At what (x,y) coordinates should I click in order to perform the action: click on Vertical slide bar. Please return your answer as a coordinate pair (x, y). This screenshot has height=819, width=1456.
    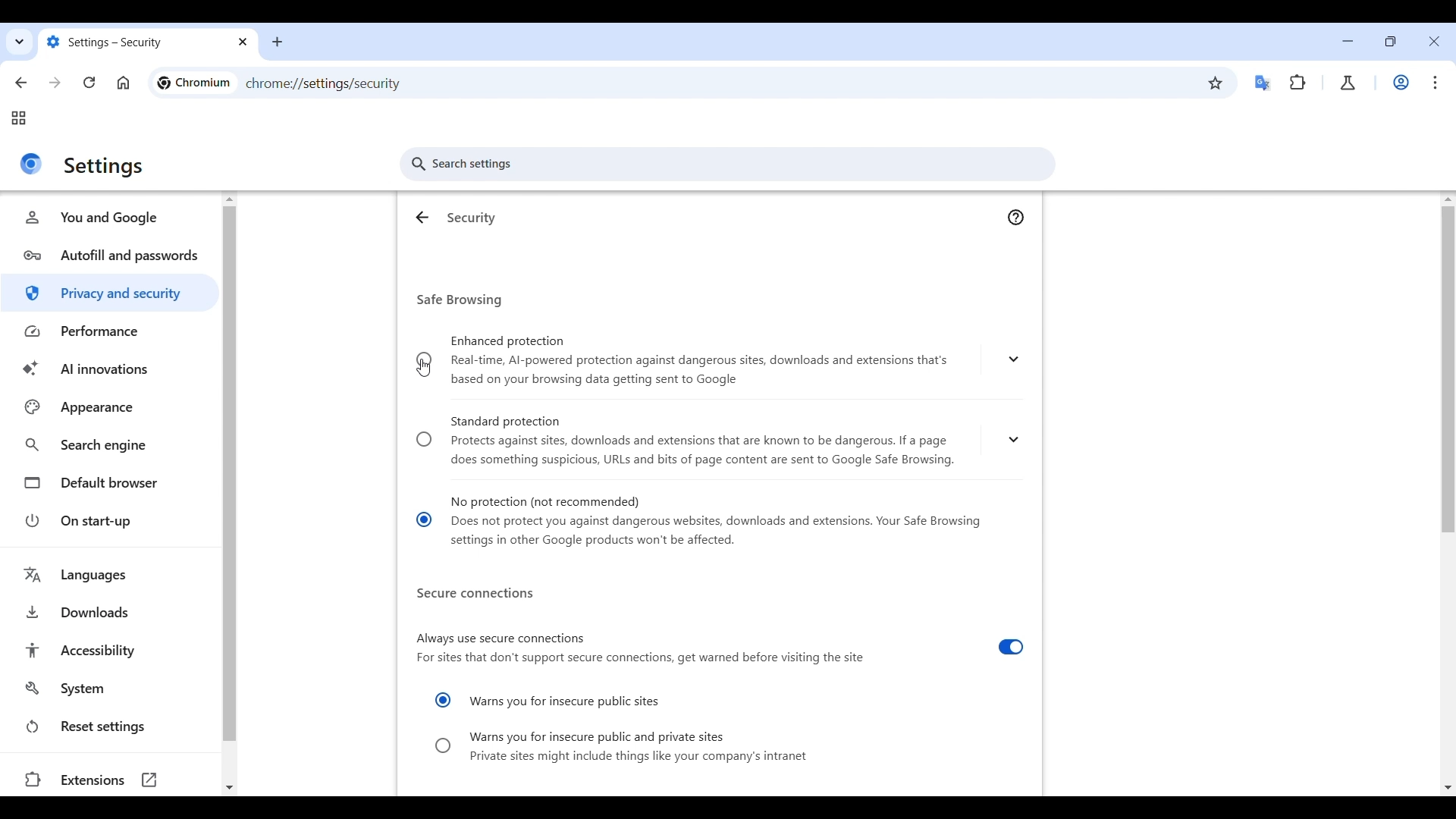
    Looking at the image, I should click on (230, 474).